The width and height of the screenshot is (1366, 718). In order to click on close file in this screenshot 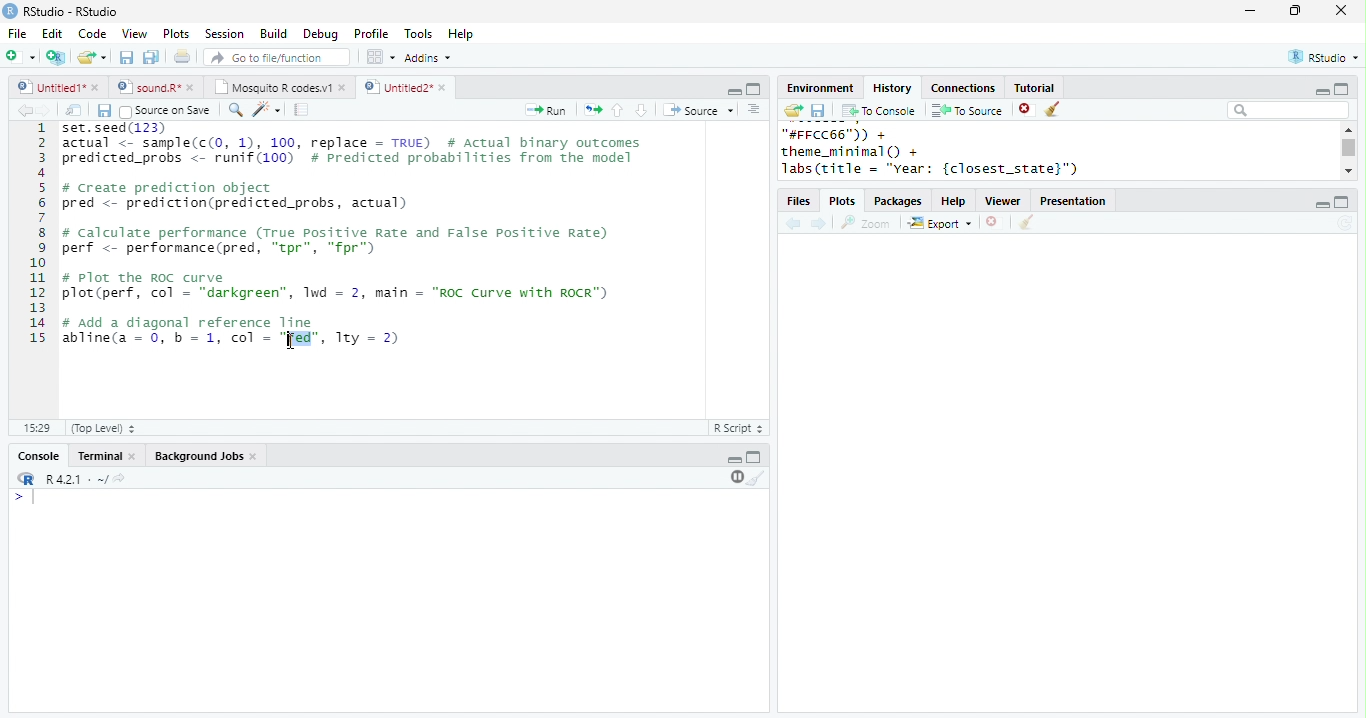, I will do `click(995, 223)`.